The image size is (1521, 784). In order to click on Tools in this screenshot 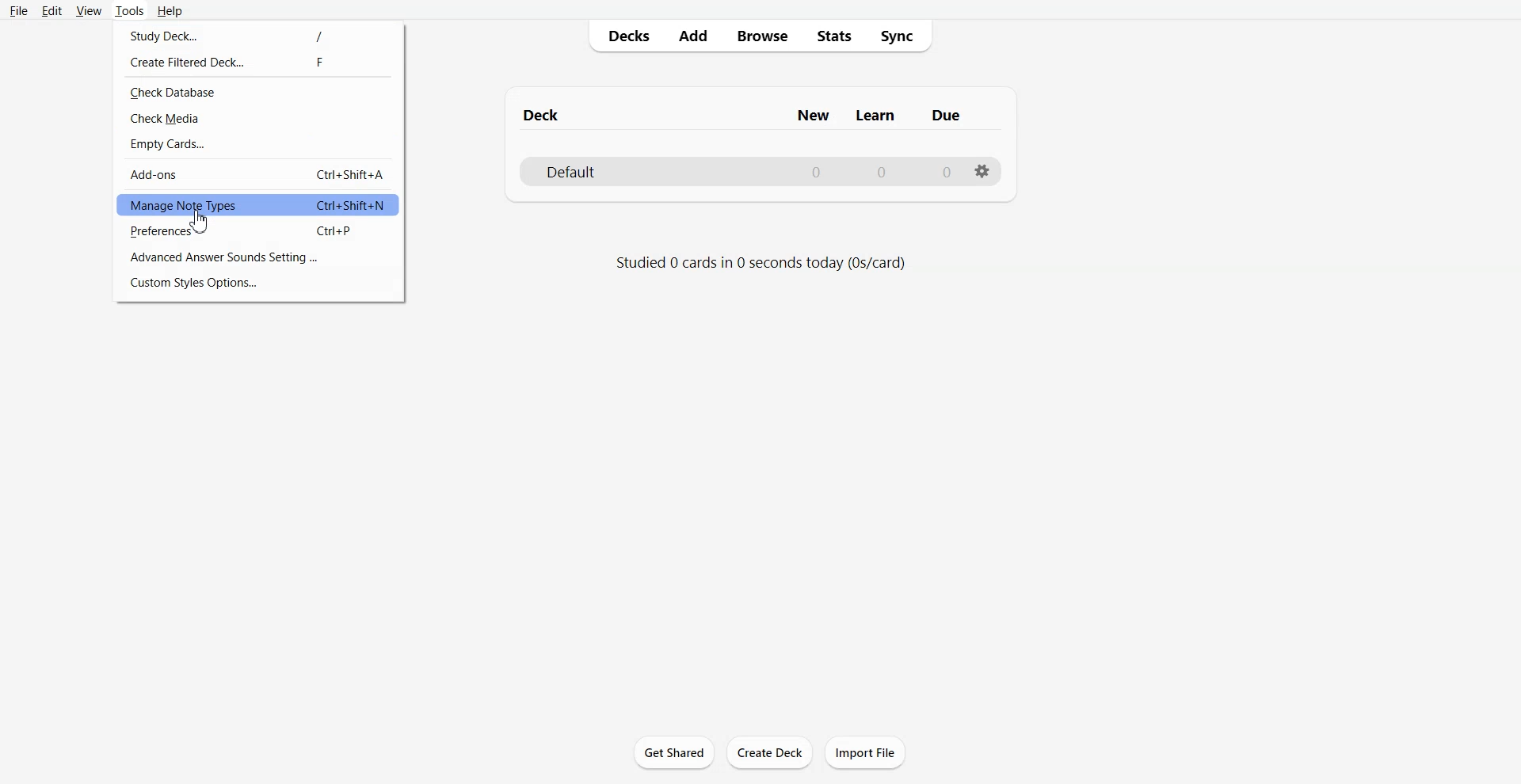, I will do `click(128, 11)`.